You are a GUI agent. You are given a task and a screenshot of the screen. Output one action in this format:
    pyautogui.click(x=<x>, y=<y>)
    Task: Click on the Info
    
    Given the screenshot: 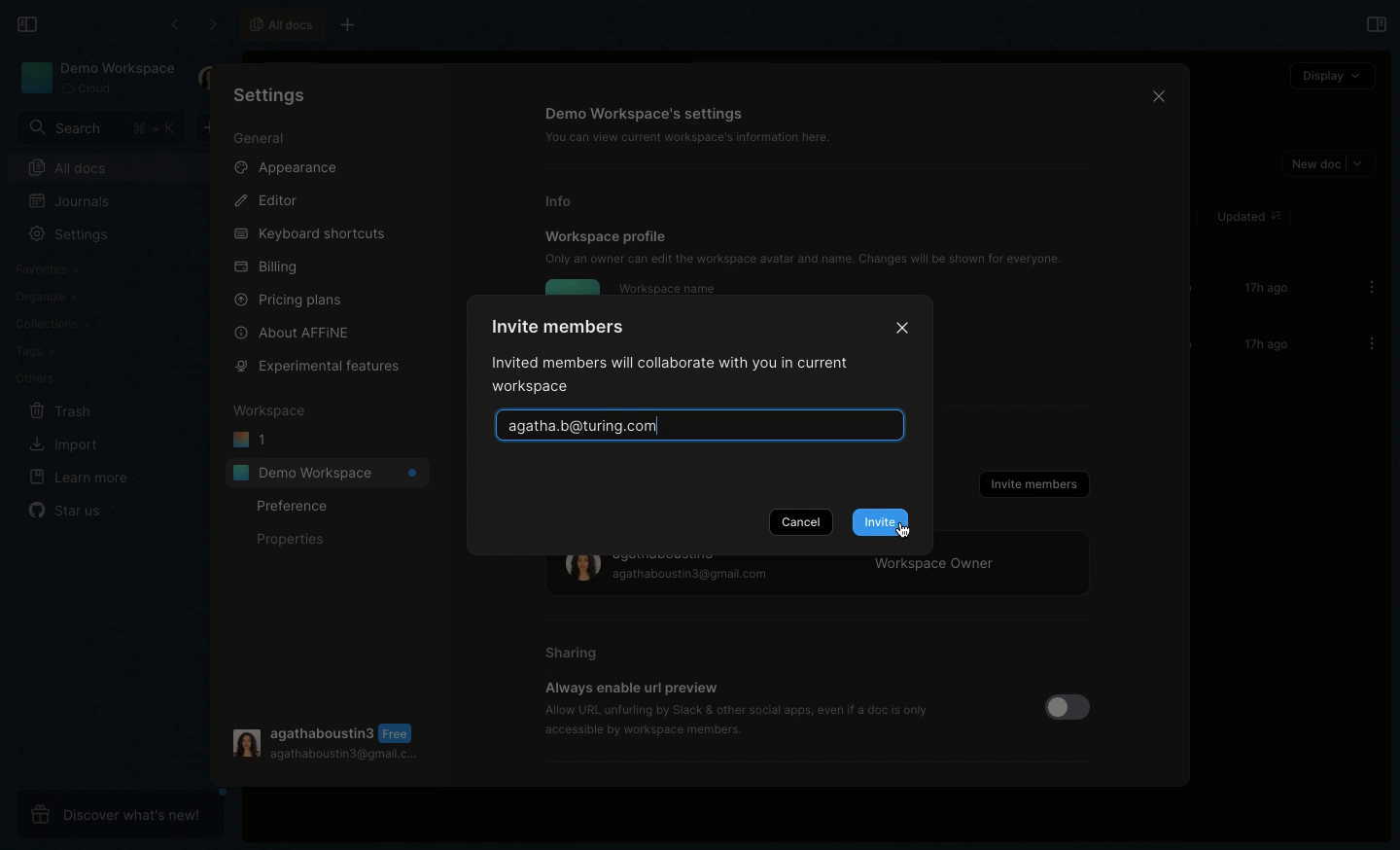 What is the action you would take?
    pyautogui.click(x=566, y=201)
    